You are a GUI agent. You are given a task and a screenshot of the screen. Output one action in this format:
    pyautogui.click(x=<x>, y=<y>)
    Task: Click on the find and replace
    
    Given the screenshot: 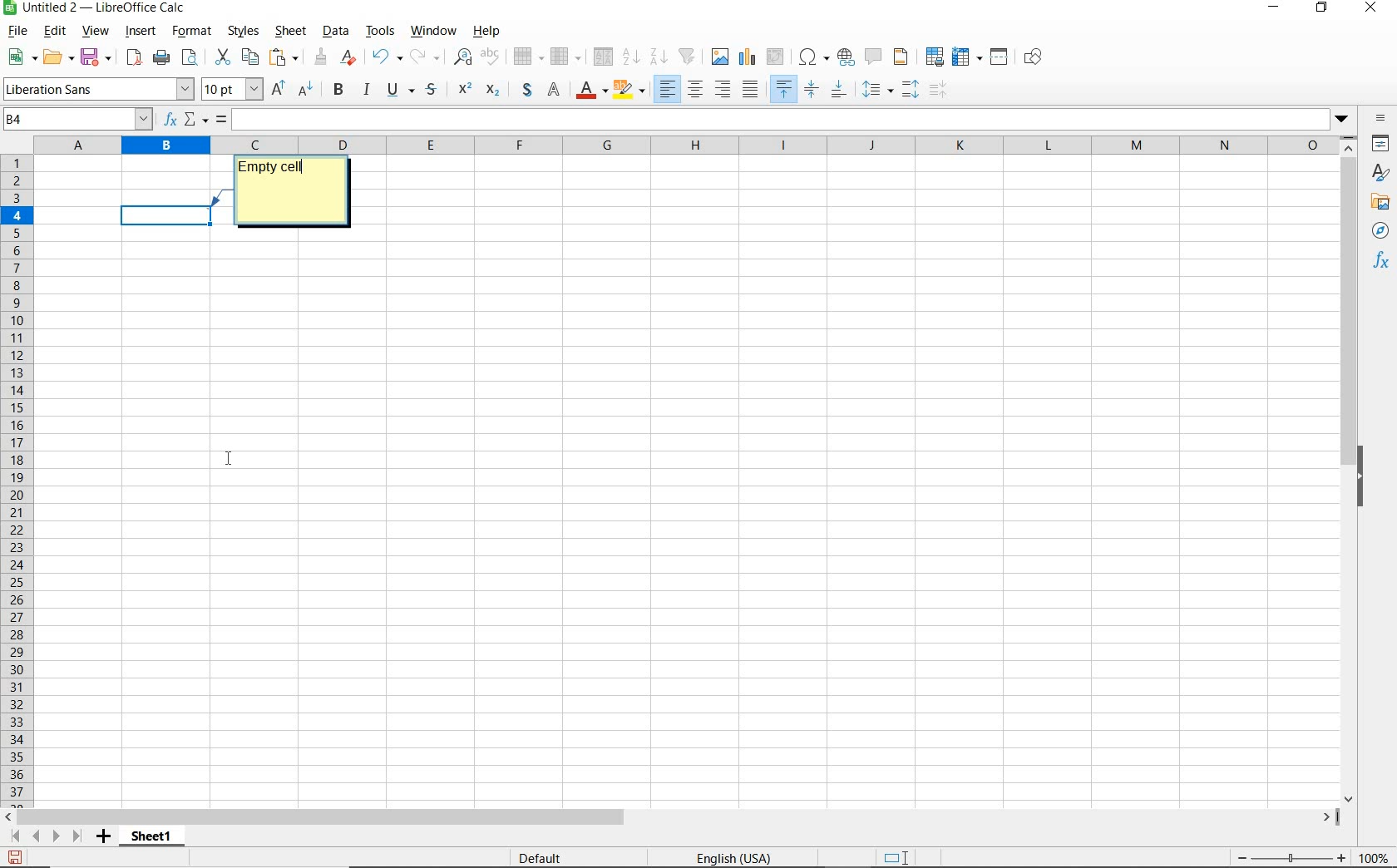 What is the action you would take?
    pyautogui.click(x=461, y=57)
    